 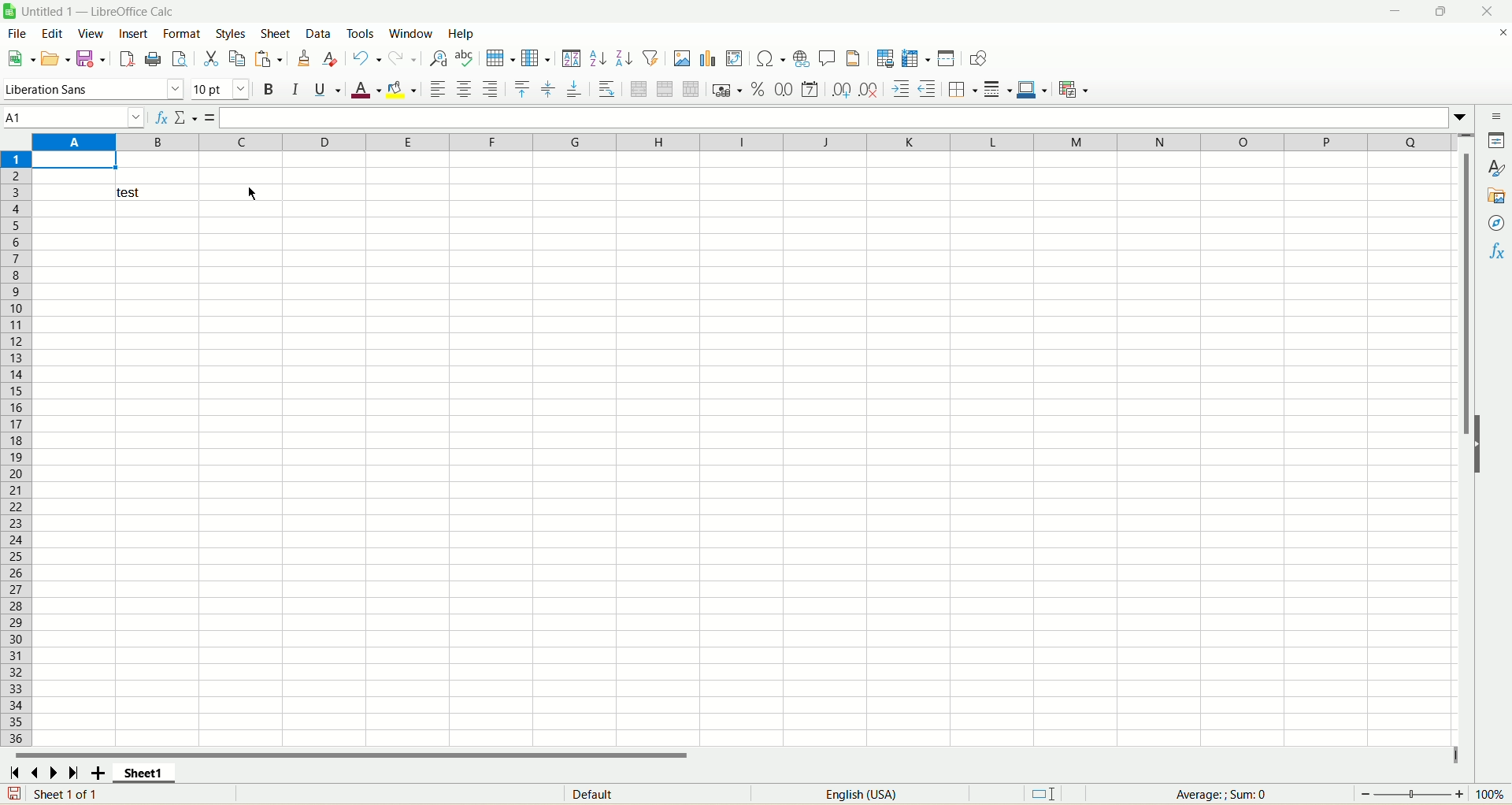 What do you see at coordinates (153, 58) in the screenshot?
I see `print` at bounding box center [153, 58].